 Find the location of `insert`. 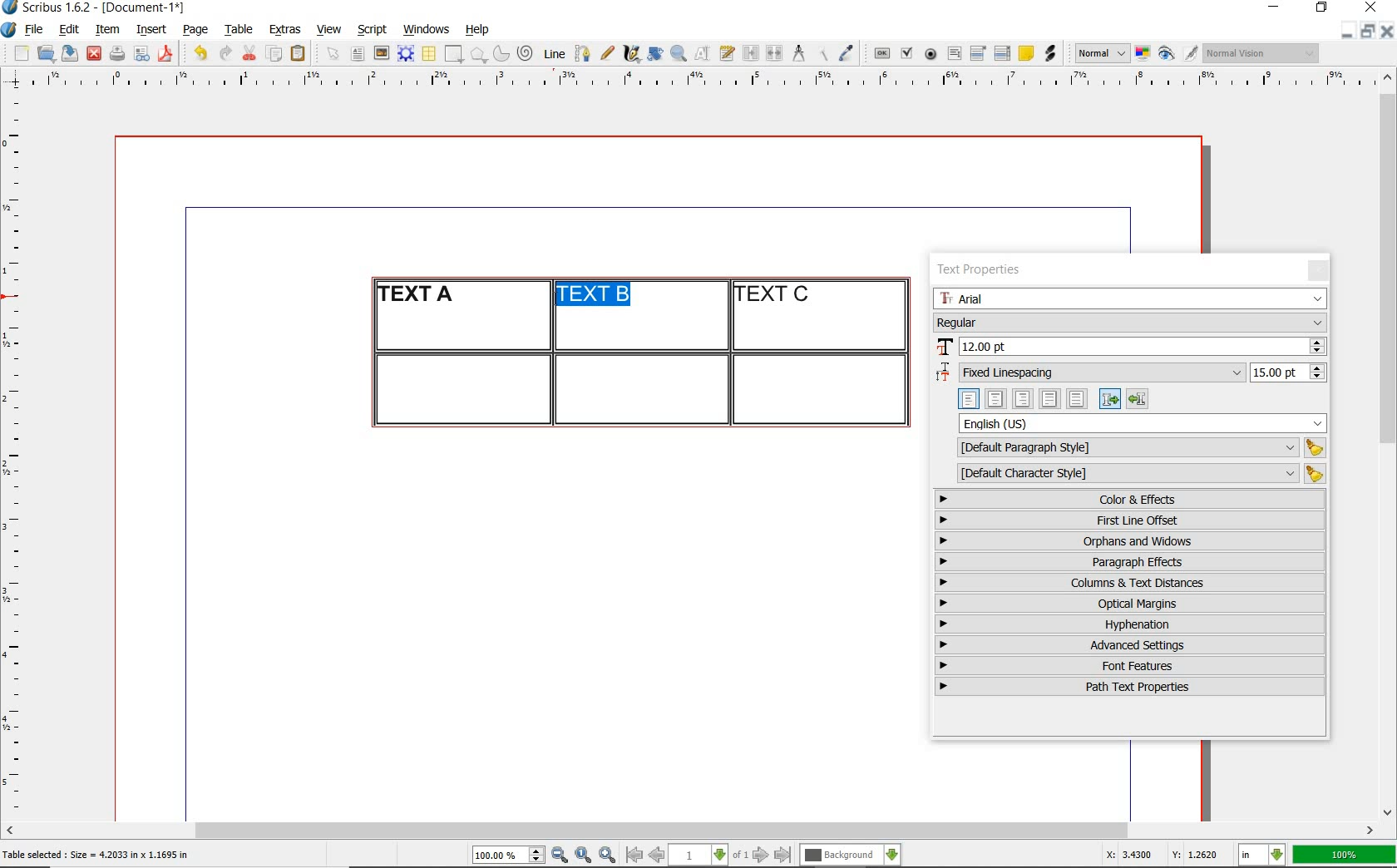

insert is located at coordinates (151, 30).